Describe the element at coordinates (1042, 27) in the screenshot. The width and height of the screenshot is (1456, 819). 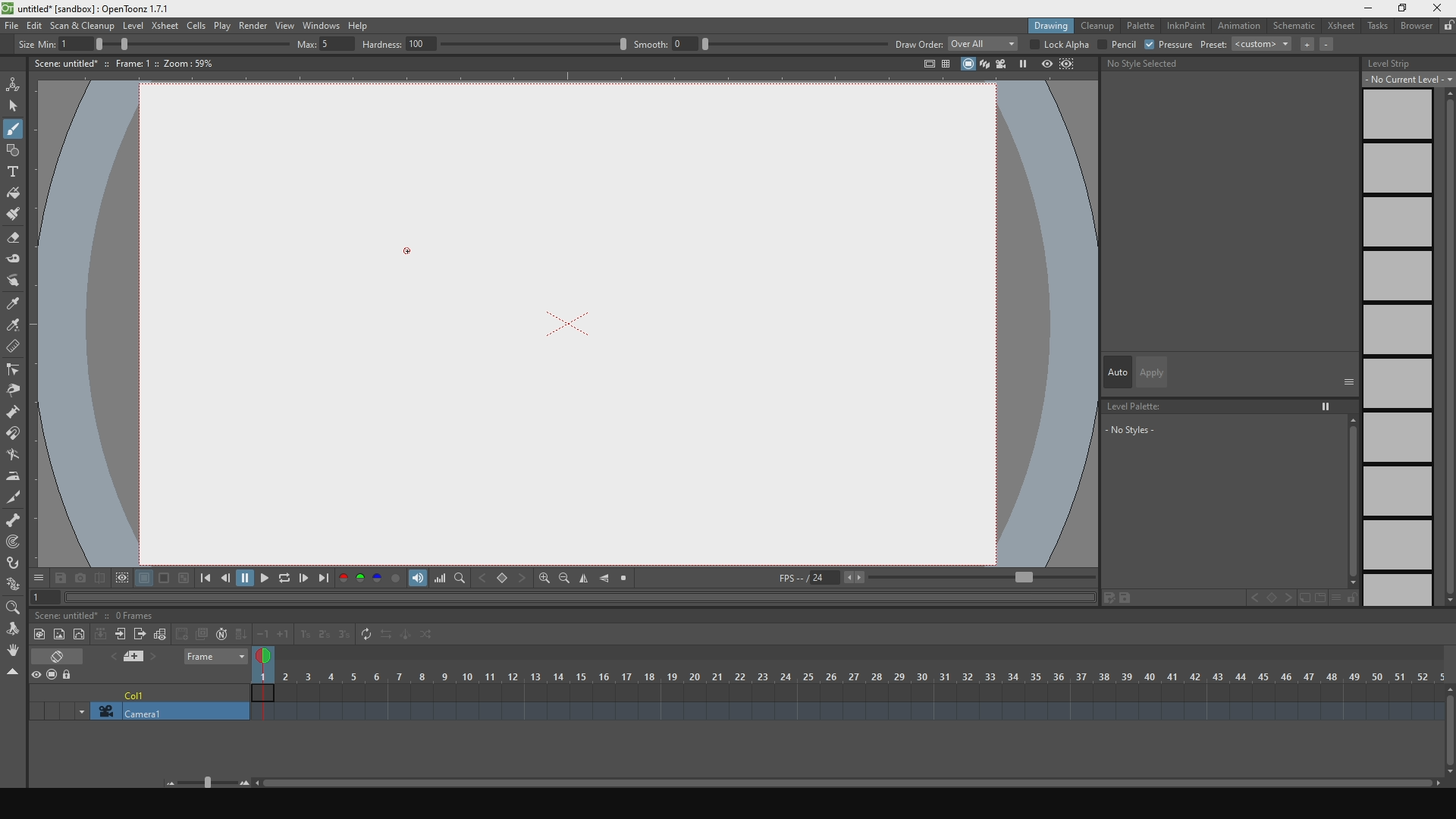
I see `drawing` at that location.